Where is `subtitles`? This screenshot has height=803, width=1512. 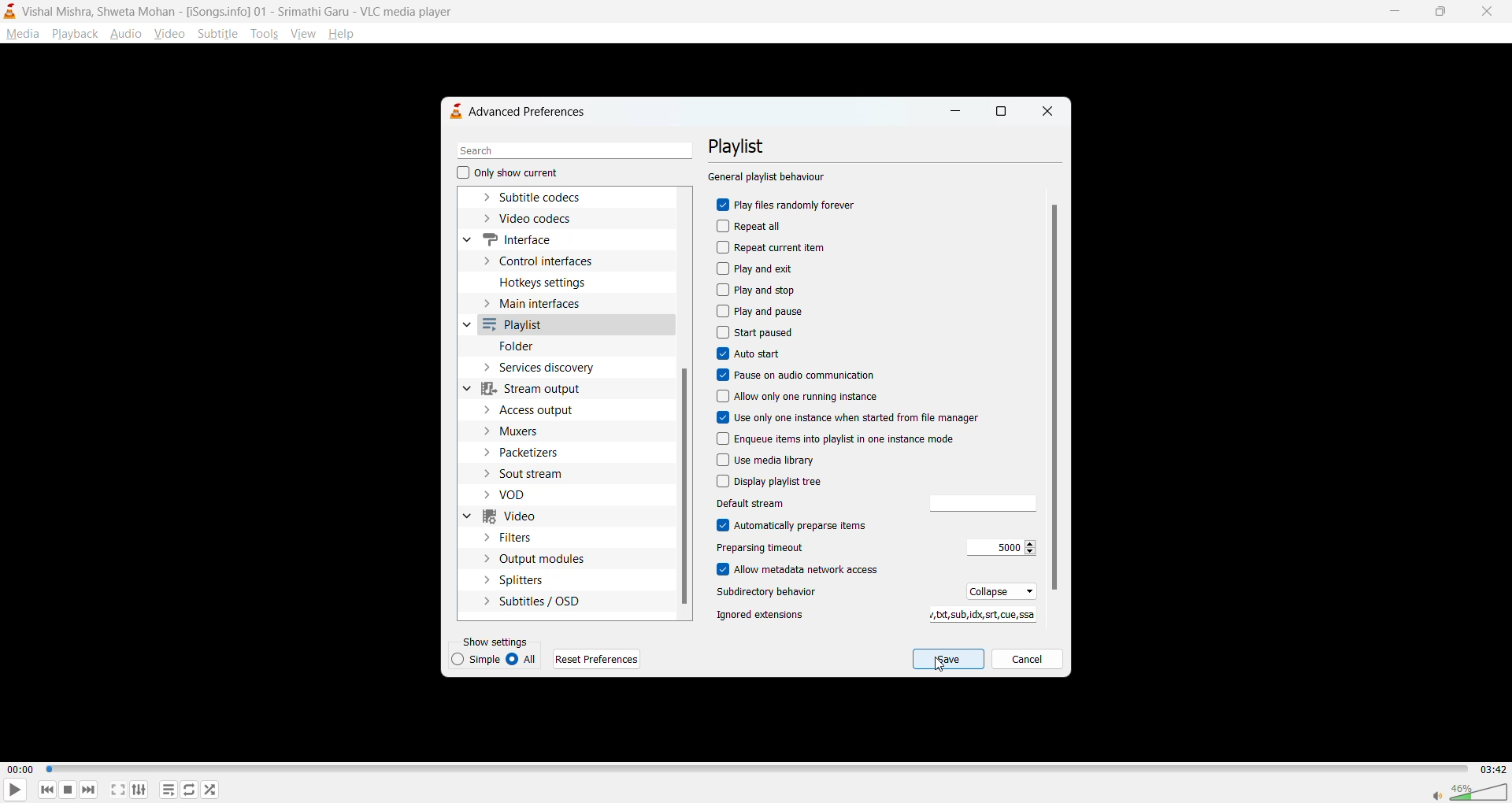
subtitles is located at coordinates (532, 600).